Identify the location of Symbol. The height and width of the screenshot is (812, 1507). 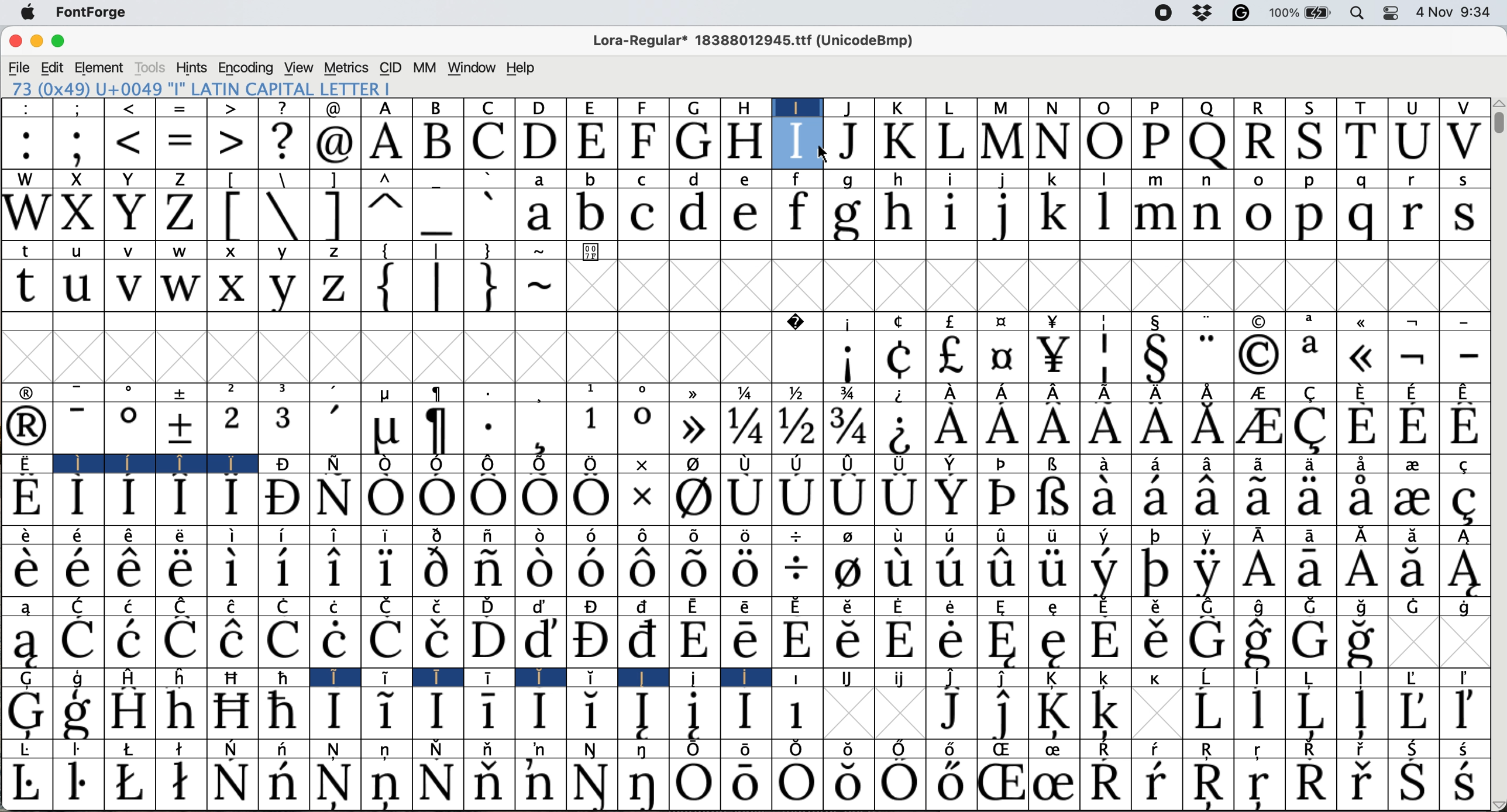
(1058, 677).